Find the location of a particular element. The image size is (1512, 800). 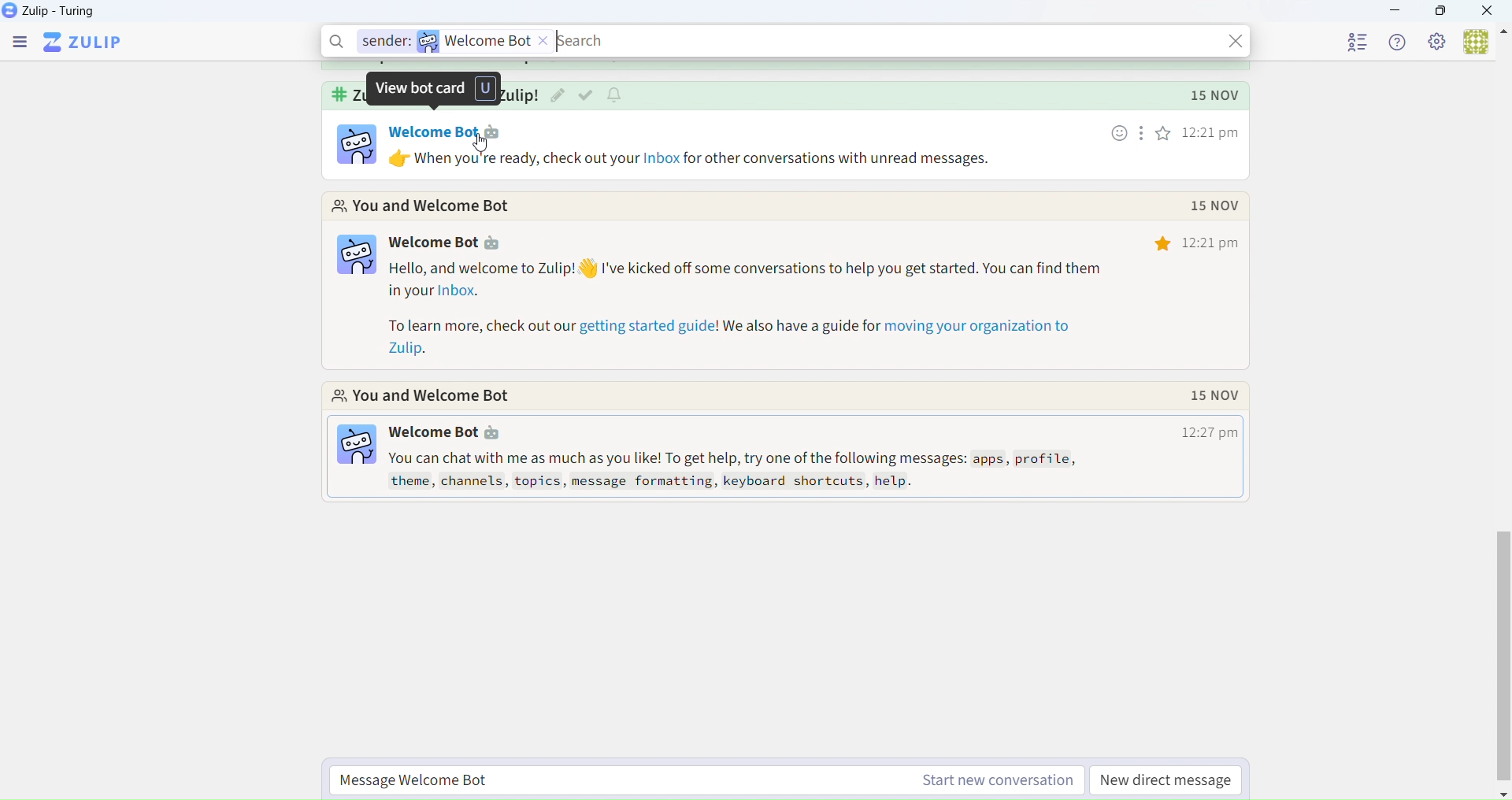

15 NOV is located at coordinates (1210, 206).